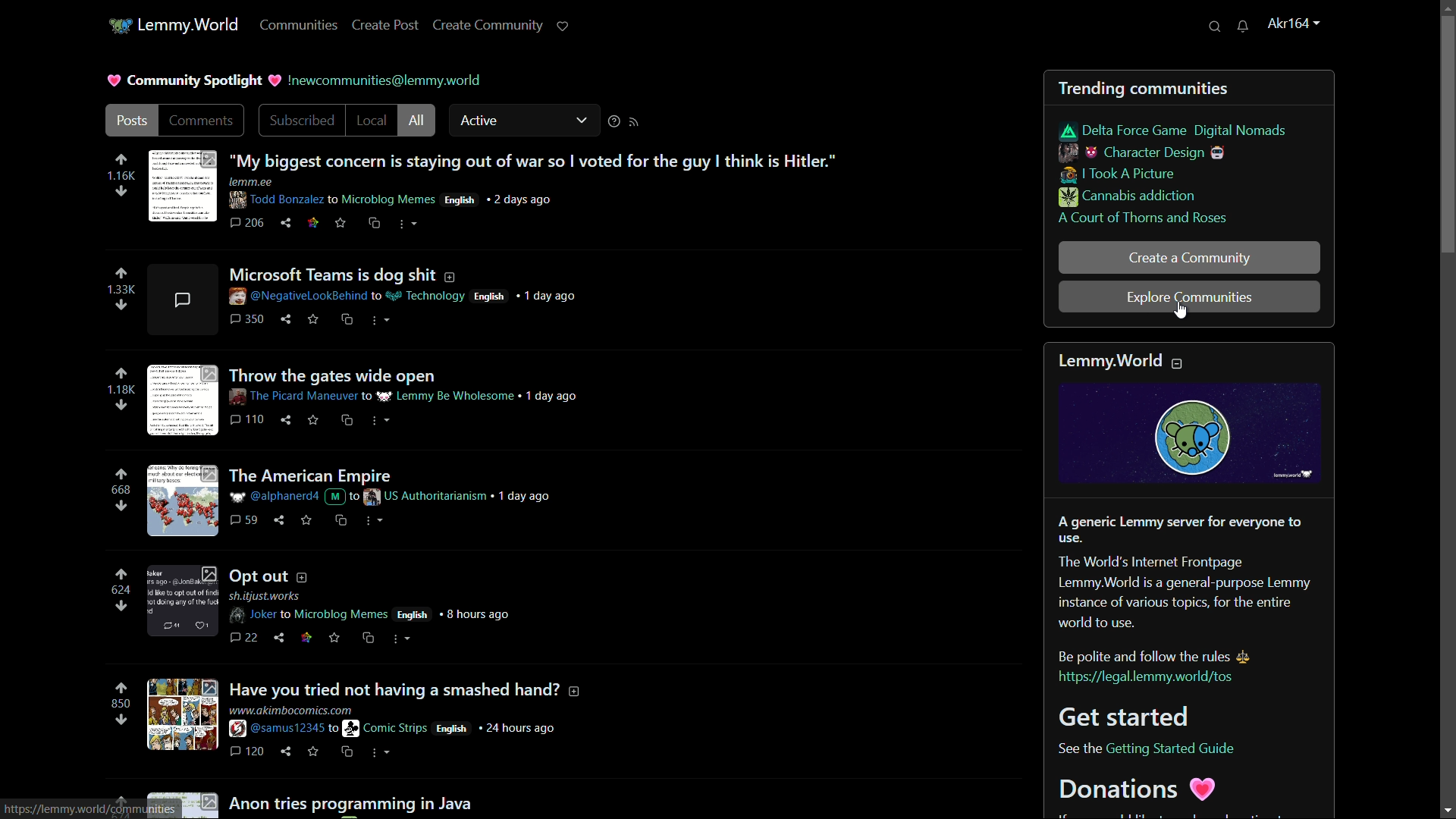 This screenshot has width=1456, height=819. Describe the element at coordinates (334, 372) in the screenshot. I see `post-3` at that location.